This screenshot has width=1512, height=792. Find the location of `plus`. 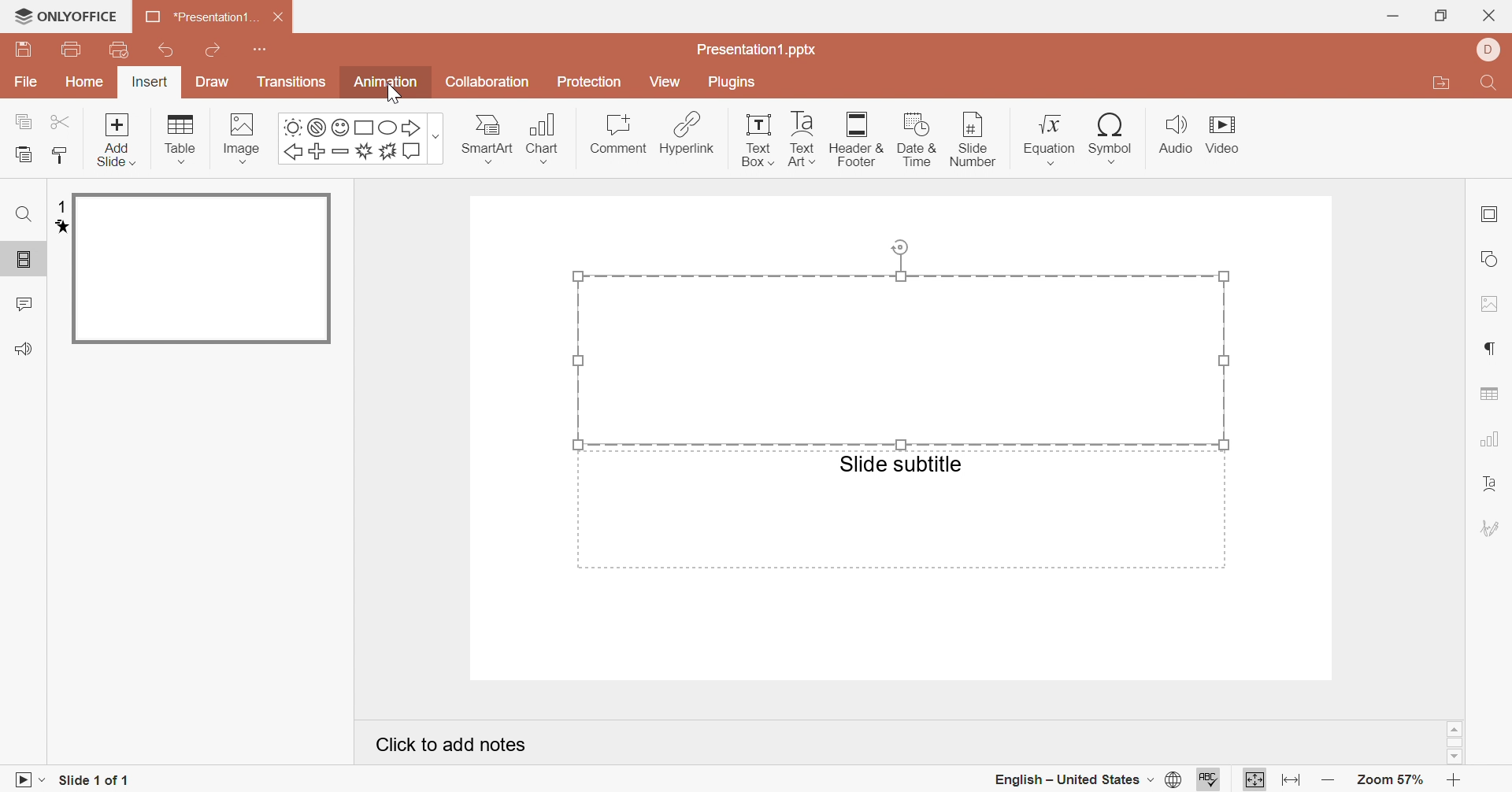

plus is located at coordinates (319, 153).